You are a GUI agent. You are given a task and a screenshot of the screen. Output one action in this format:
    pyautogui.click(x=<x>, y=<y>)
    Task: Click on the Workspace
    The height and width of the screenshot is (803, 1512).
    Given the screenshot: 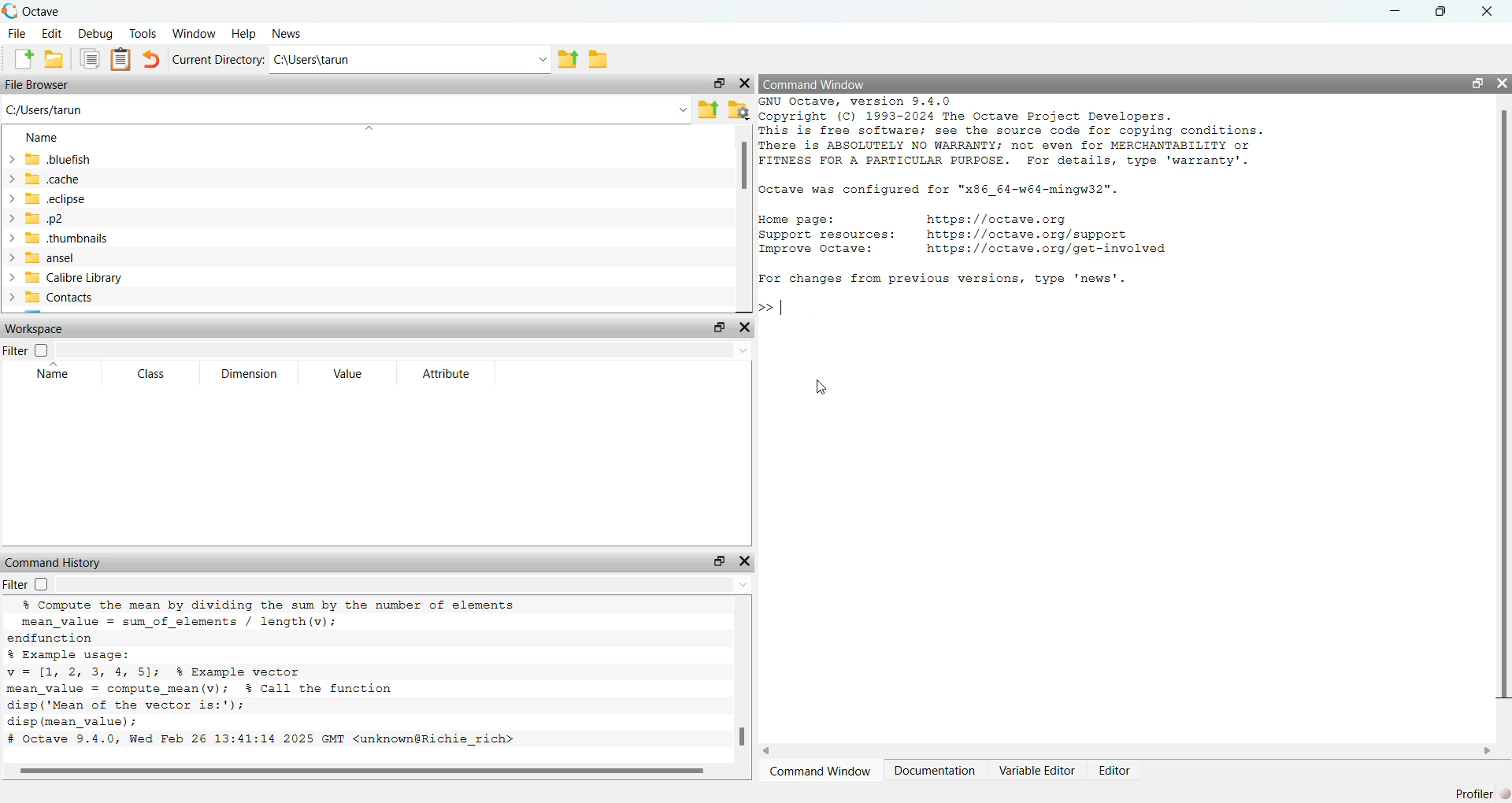 What is the action you would take?
    pyautogui.click(x=35, y=328)
    